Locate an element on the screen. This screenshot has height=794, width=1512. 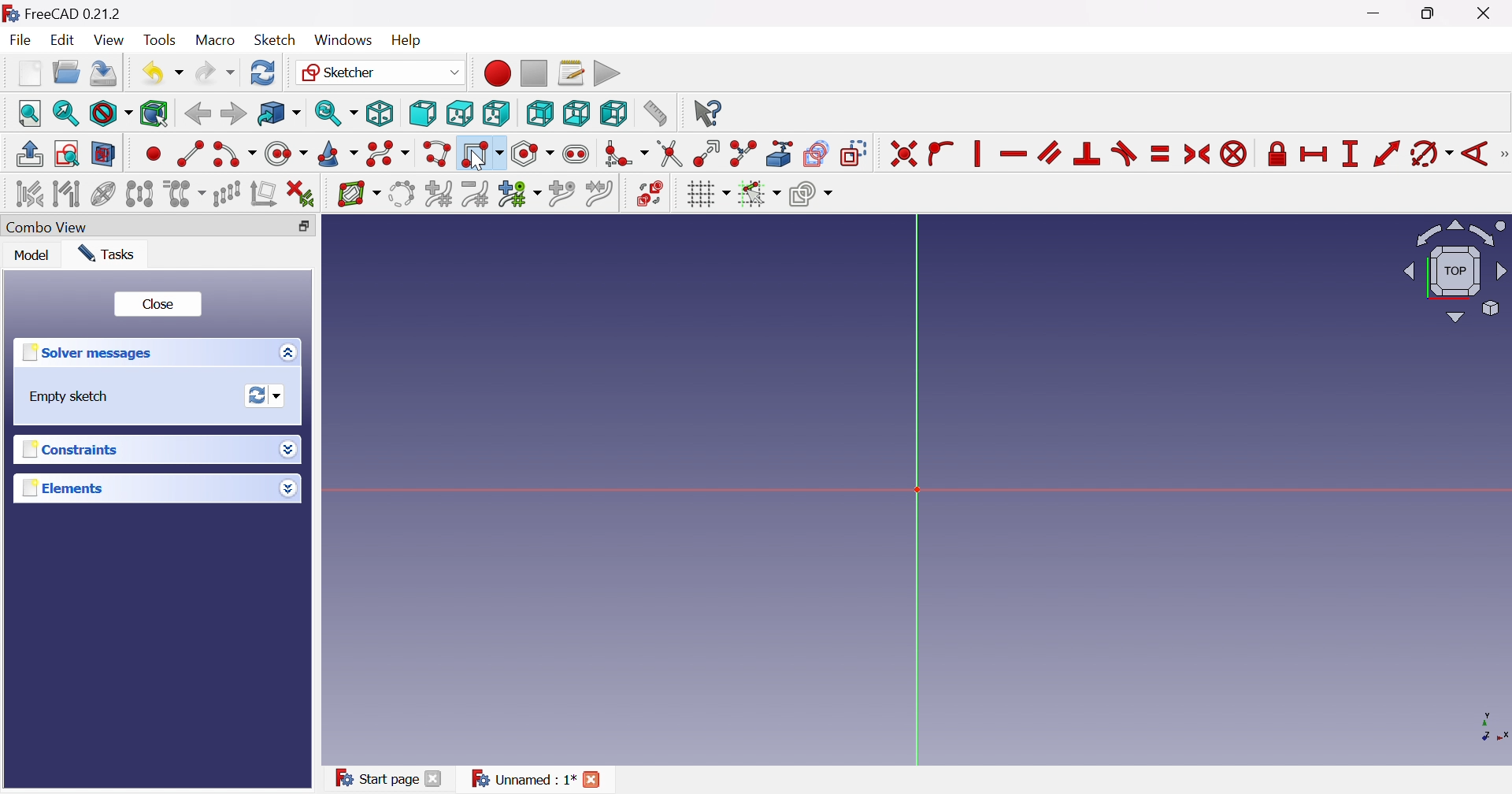
Back is located at coordinates (197, 114).